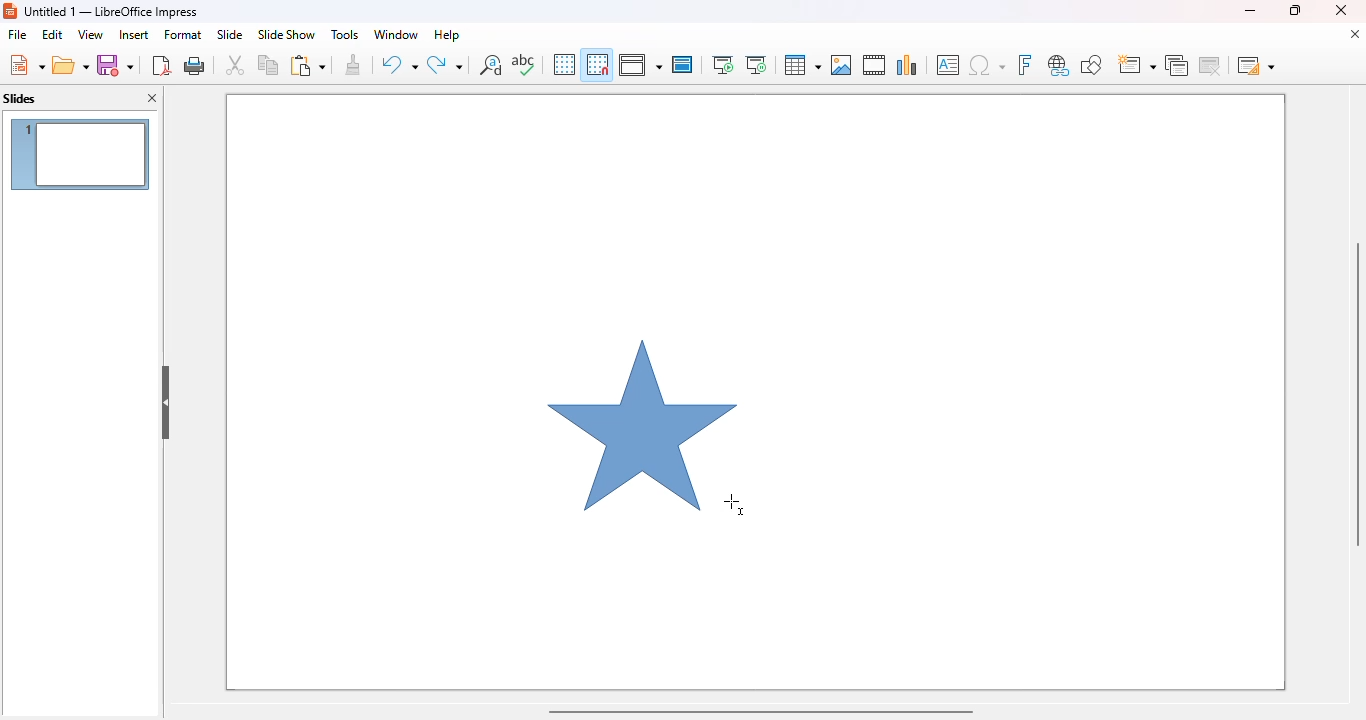 This screenshot has height=720, width=1366. Describe the element at coordinates (948, 65) in the screenshot. I see `insert text box` at that location.